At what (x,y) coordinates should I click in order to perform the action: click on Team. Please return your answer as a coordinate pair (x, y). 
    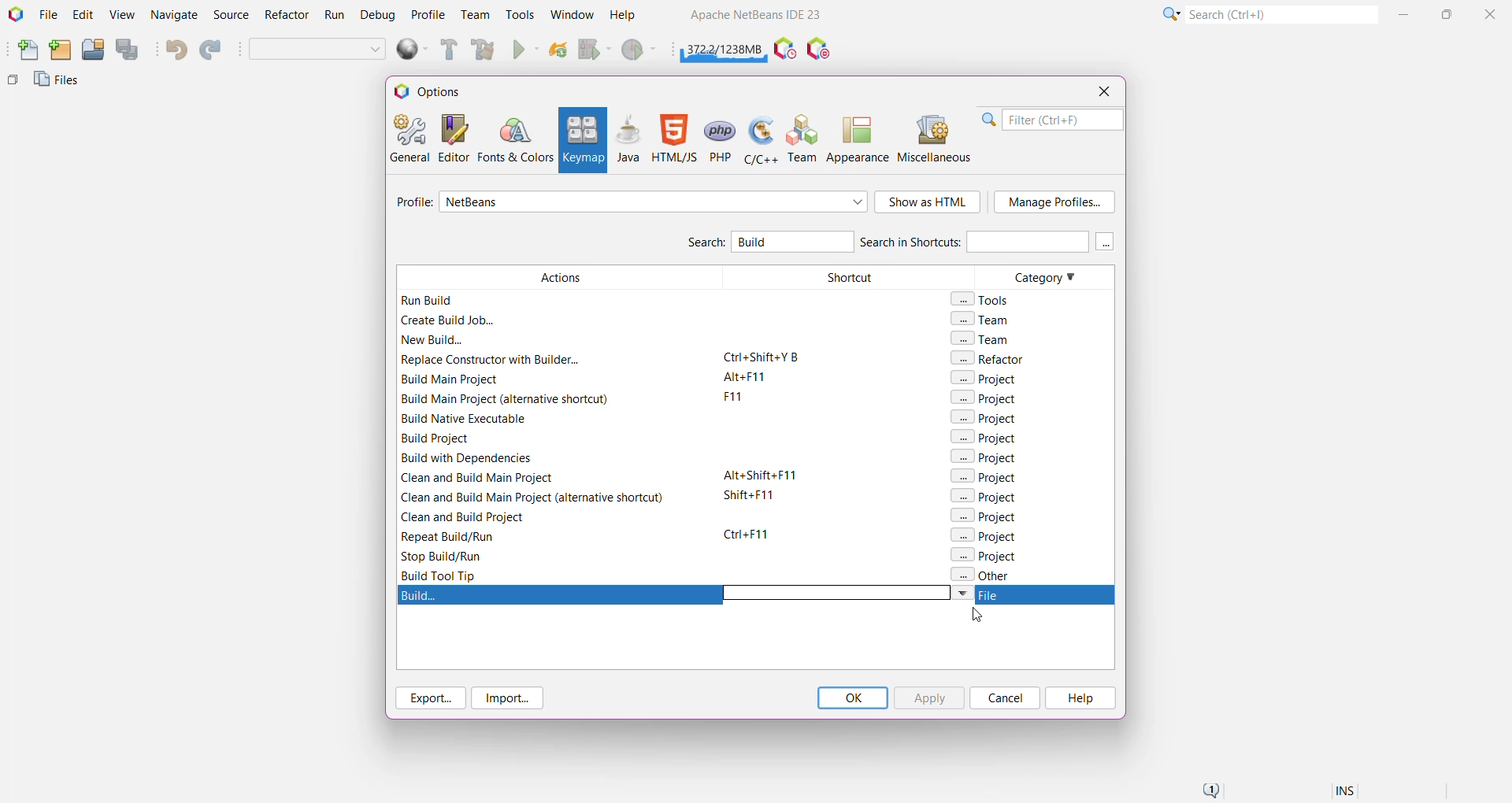
    Looking at the image, I should click on (803, 139).